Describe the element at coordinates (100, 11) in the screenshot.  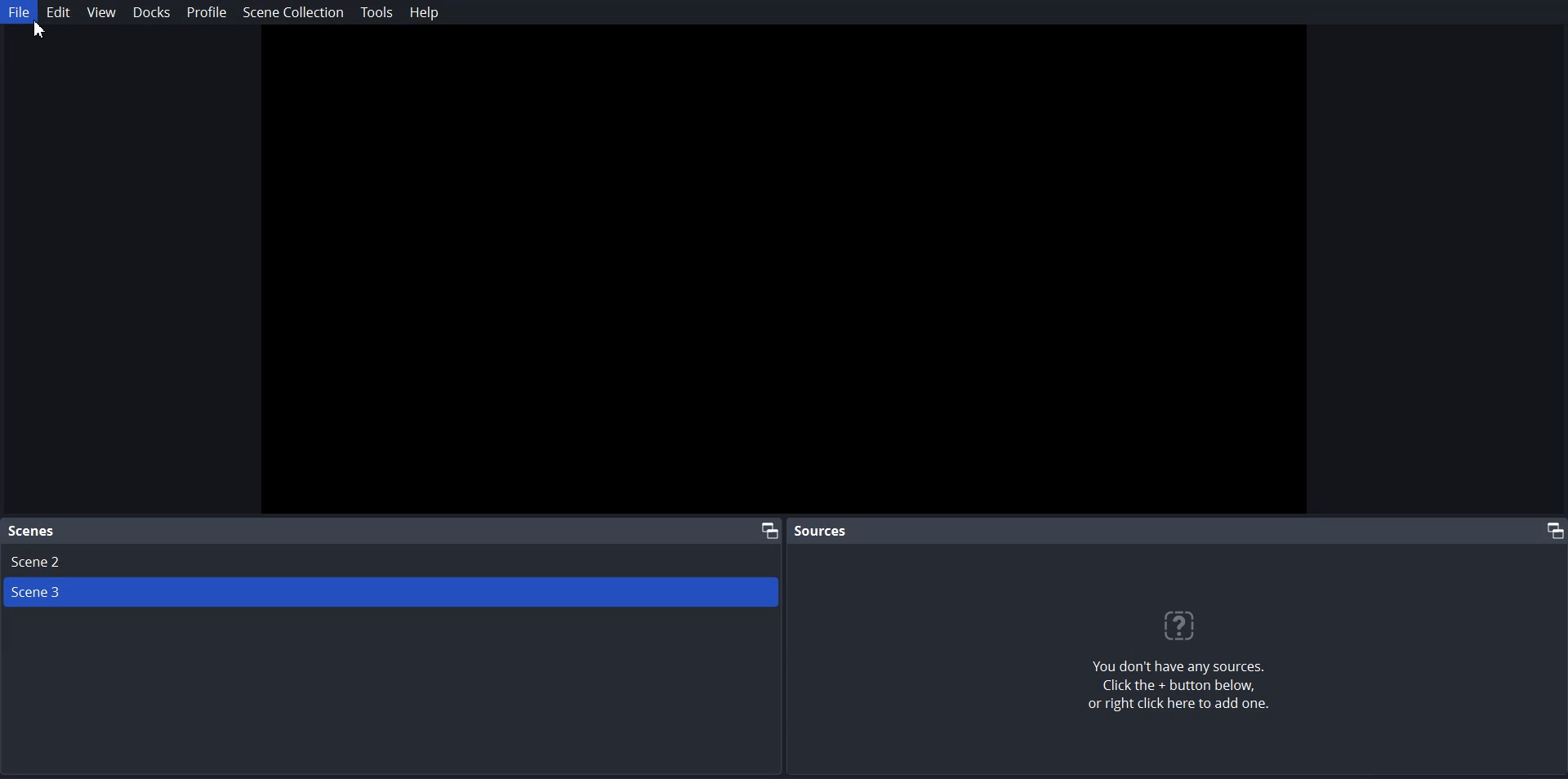
I see `View` at that location.